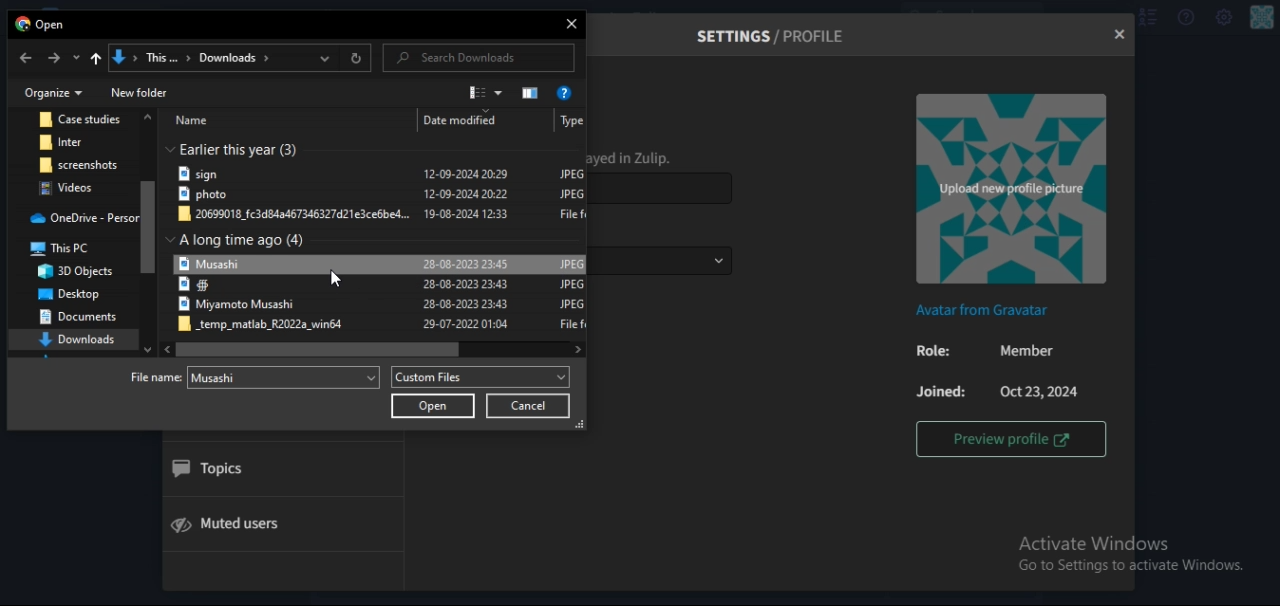  Describe the element at coordinates (357, 60) in the screenshot. I see `refresh` at that location.